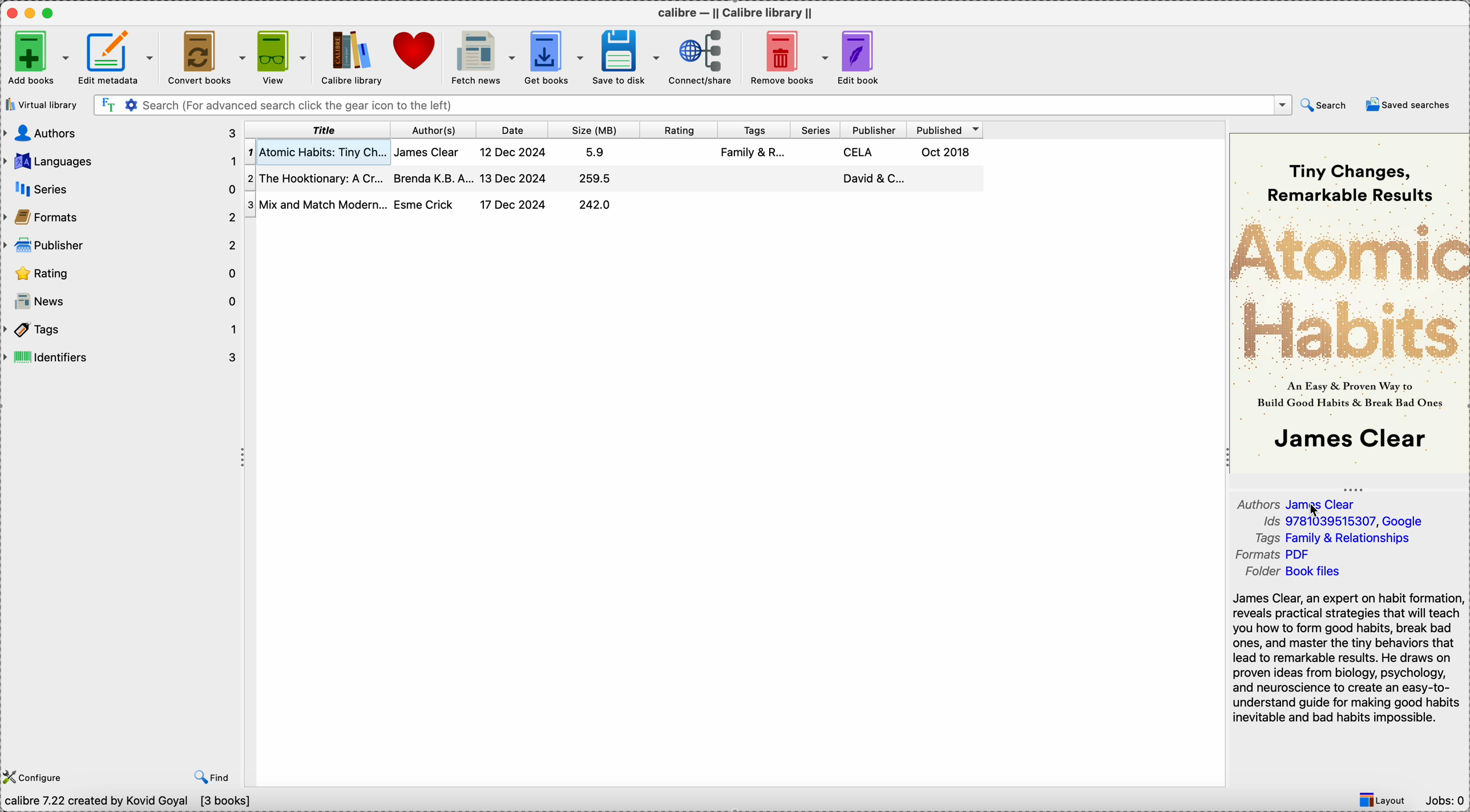 The width and height of the screenshot is (1470, 812). What do you see at coordinates (30, 12) in the screenshot?
I see `minimize` at bounding box center [30, 12].